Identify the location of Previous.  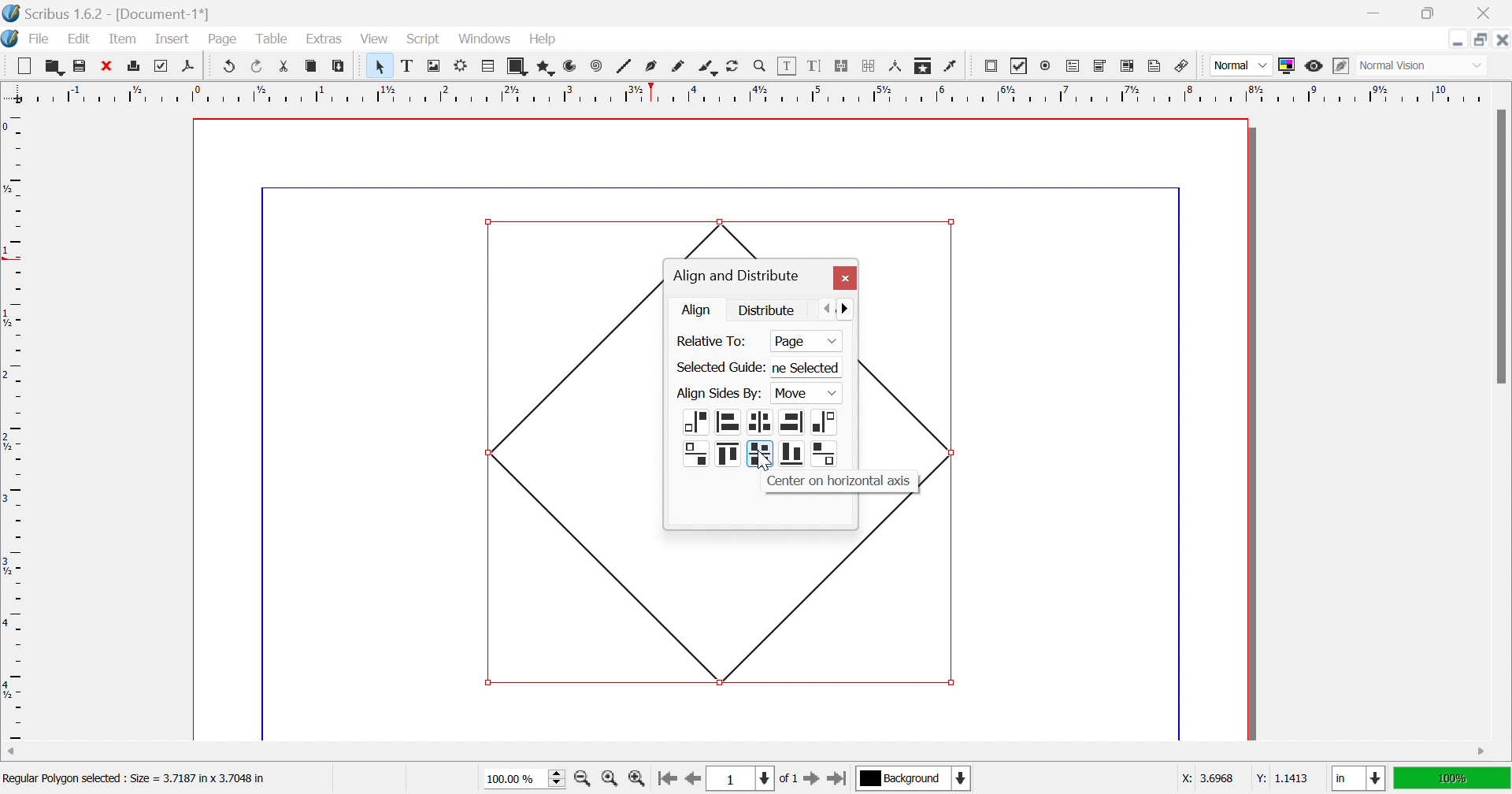
(829, 307).